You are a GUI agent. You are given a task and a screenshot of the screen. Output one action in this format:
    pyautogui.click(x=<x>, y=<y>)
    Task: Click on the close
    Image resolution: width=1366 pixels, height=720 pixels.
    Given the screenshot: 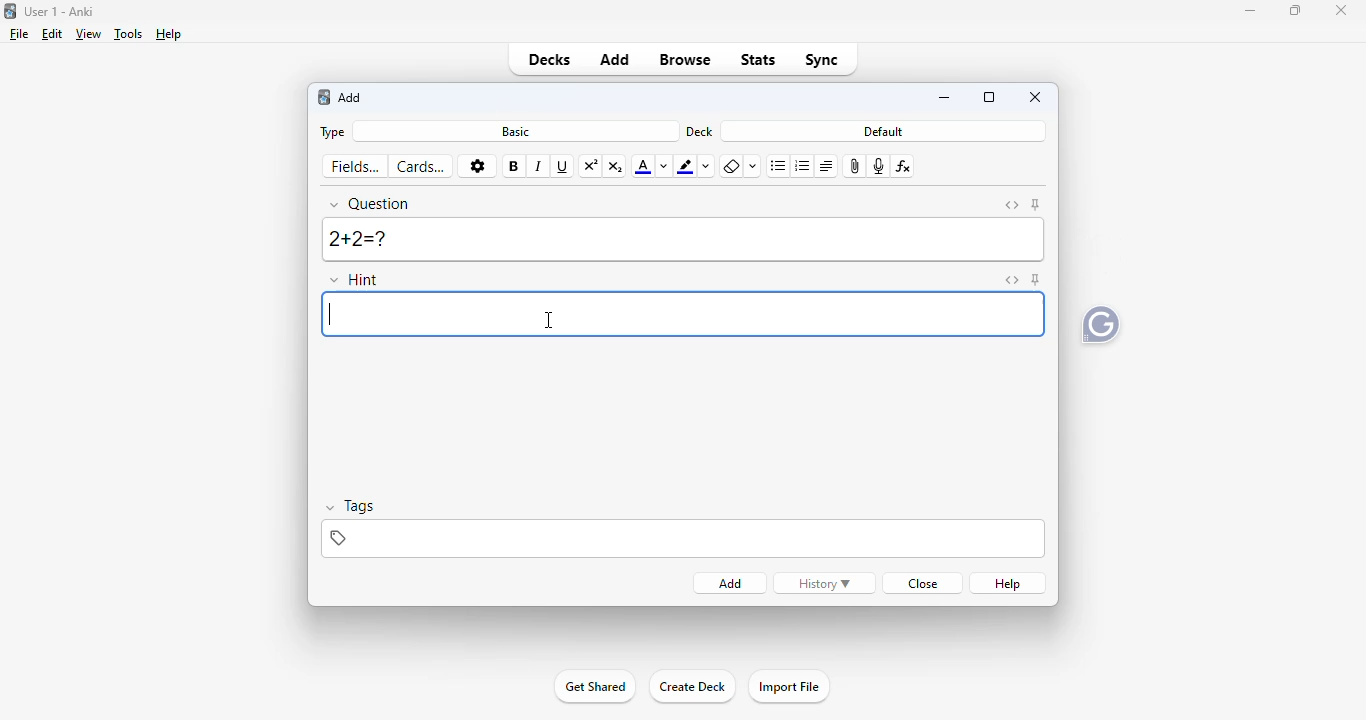 What is the action you would take?
    pyautogui.click(x=1036, y=97)
    